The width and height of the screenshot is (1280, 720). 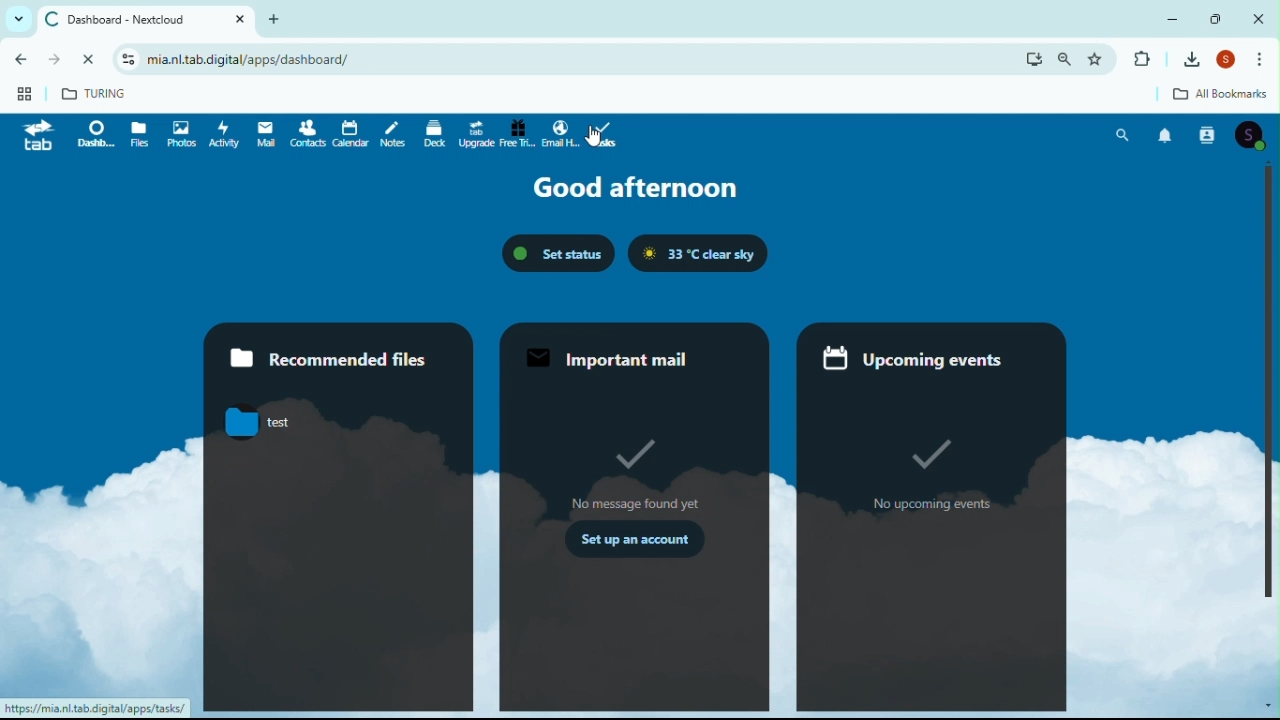 I want to click on Scrollbar, so click(x=1272, y=379).